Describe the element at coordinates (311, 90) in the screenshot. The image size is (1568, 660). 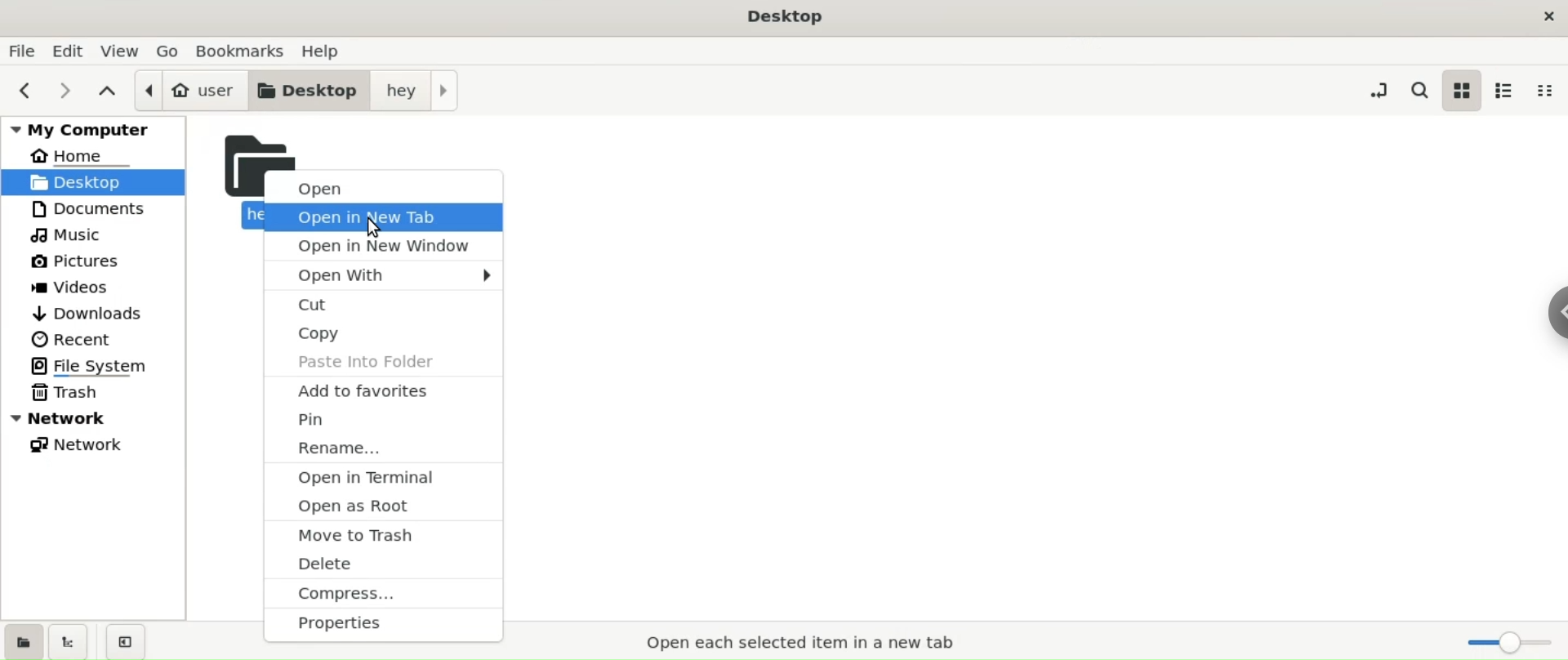
I see `desktop` at that location.